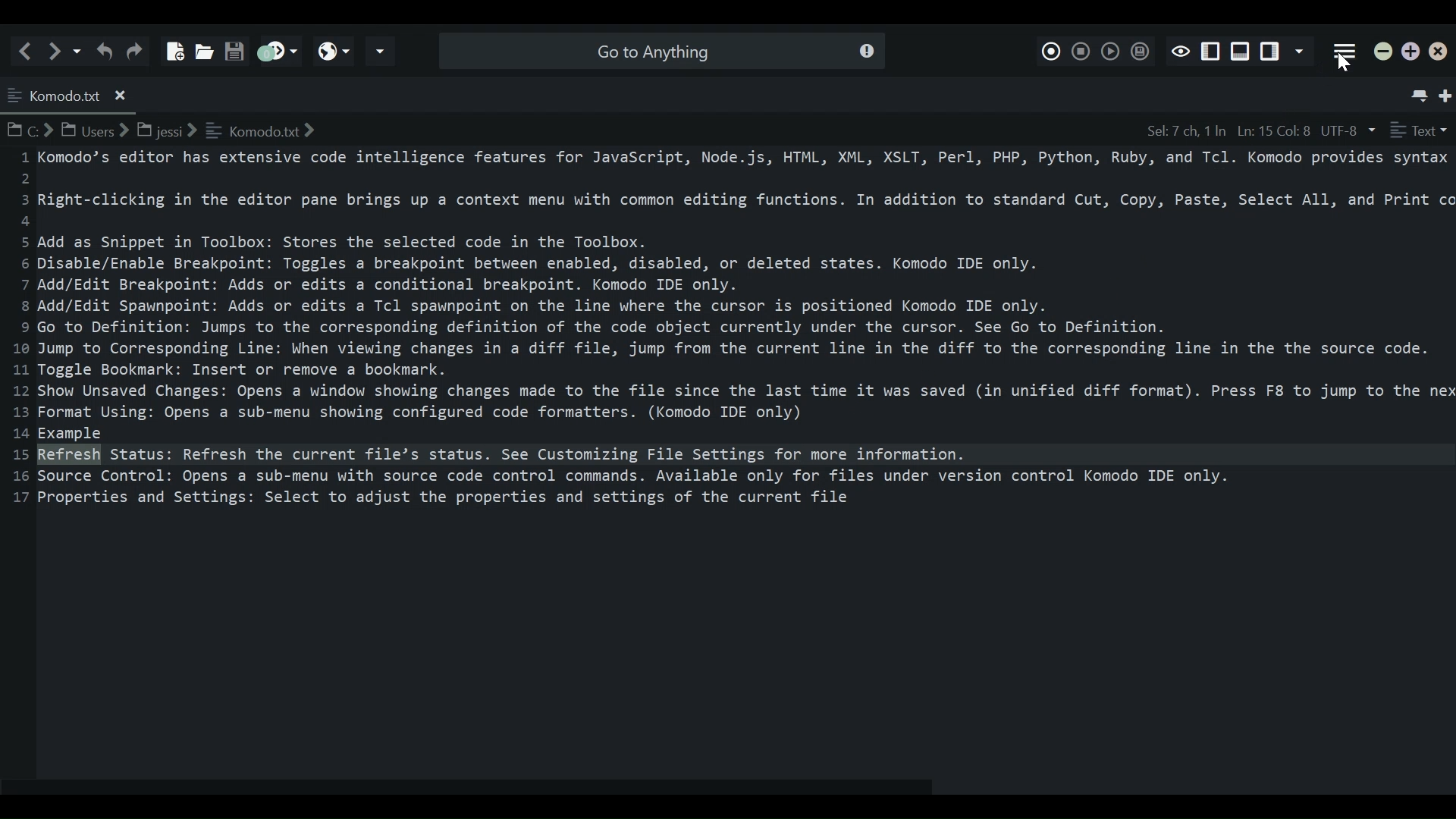 The image size is (1456, 819). What do you see at coordinates (1442, 54) in the screenshot?
I see `Close` at bounding box center [1442, 54].